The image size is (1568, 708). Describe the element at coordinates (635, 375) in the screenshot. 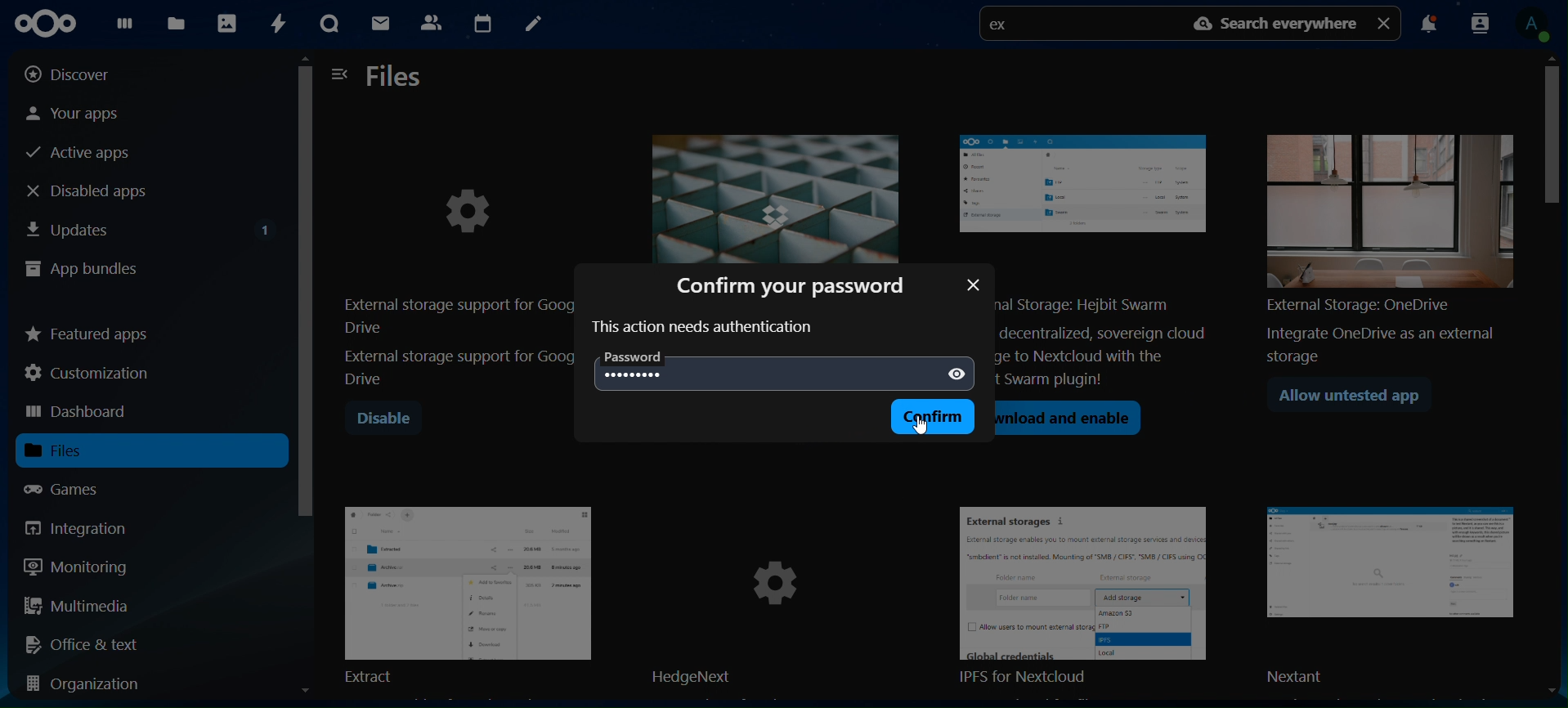

I see `password ` at that location.